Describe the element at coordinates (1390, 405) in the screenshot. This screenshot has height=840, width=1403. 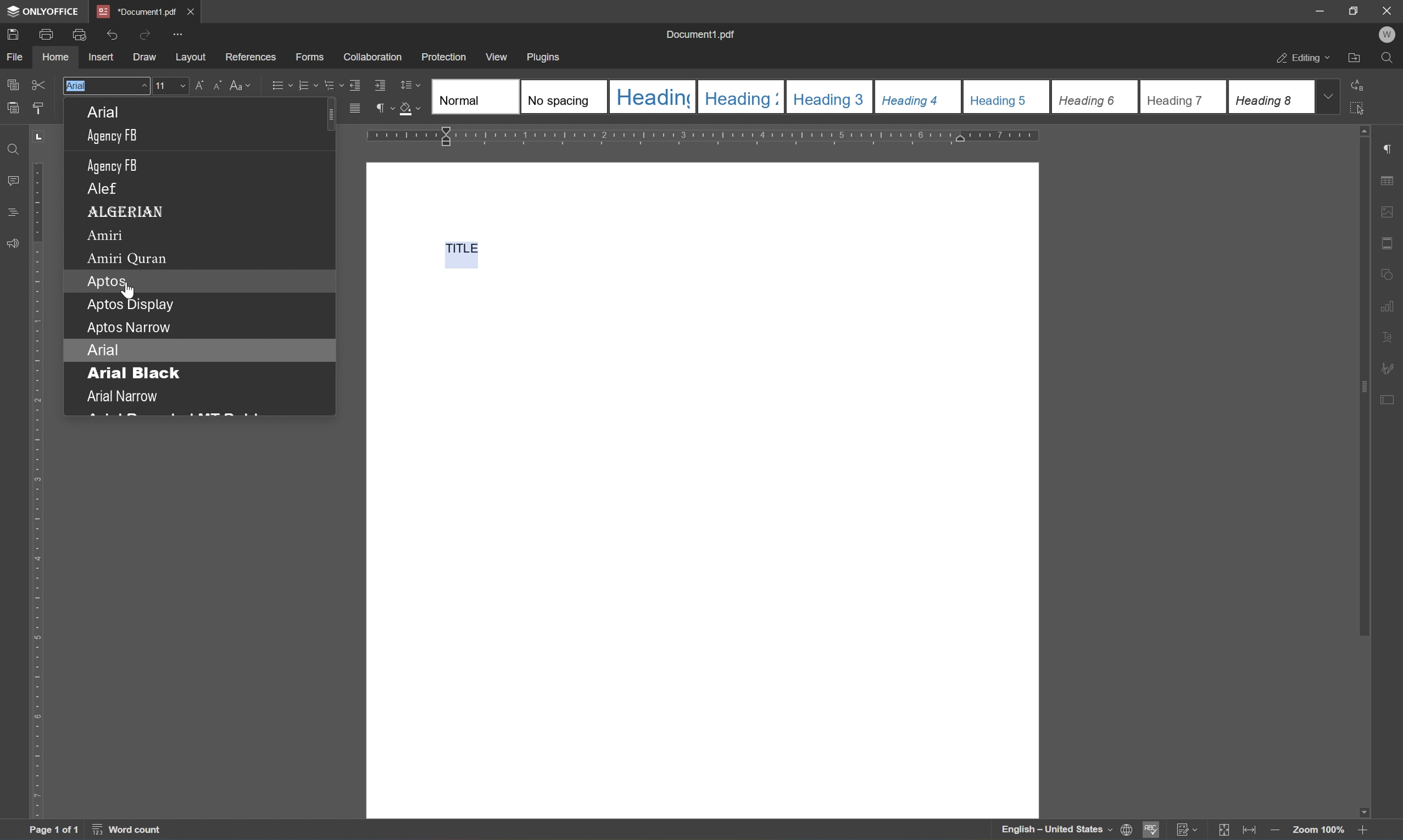
I see `form settings` at that location.